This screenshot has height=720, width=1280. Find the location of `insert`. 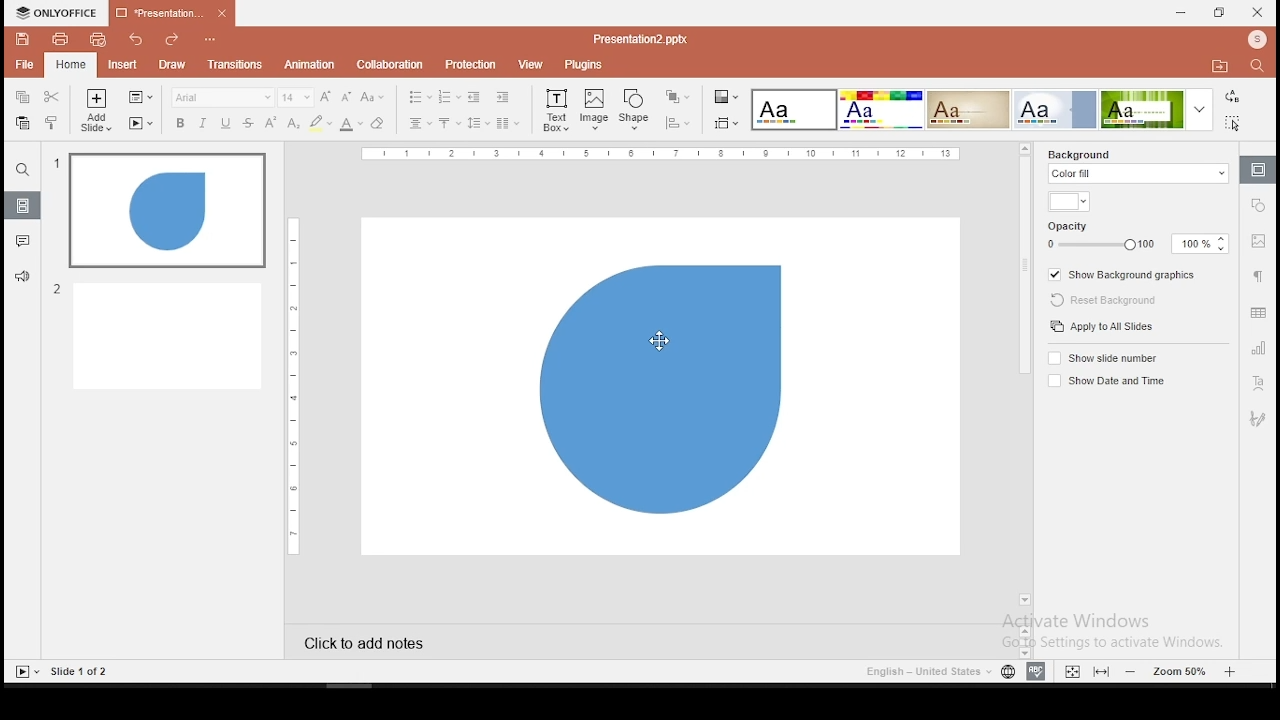

insert is located at coordinates (123, 66).